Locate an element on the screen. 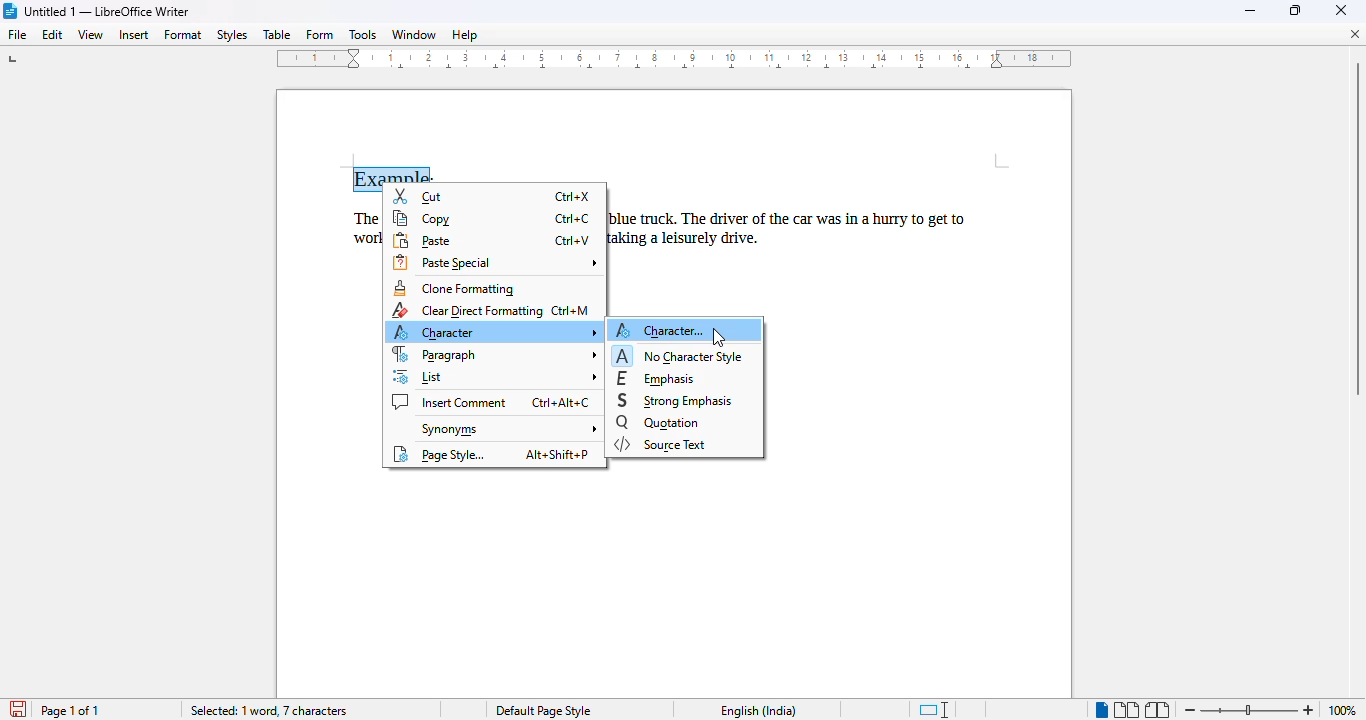 The image size is (1366, 720). ruler is located at coordinates (679, 62).